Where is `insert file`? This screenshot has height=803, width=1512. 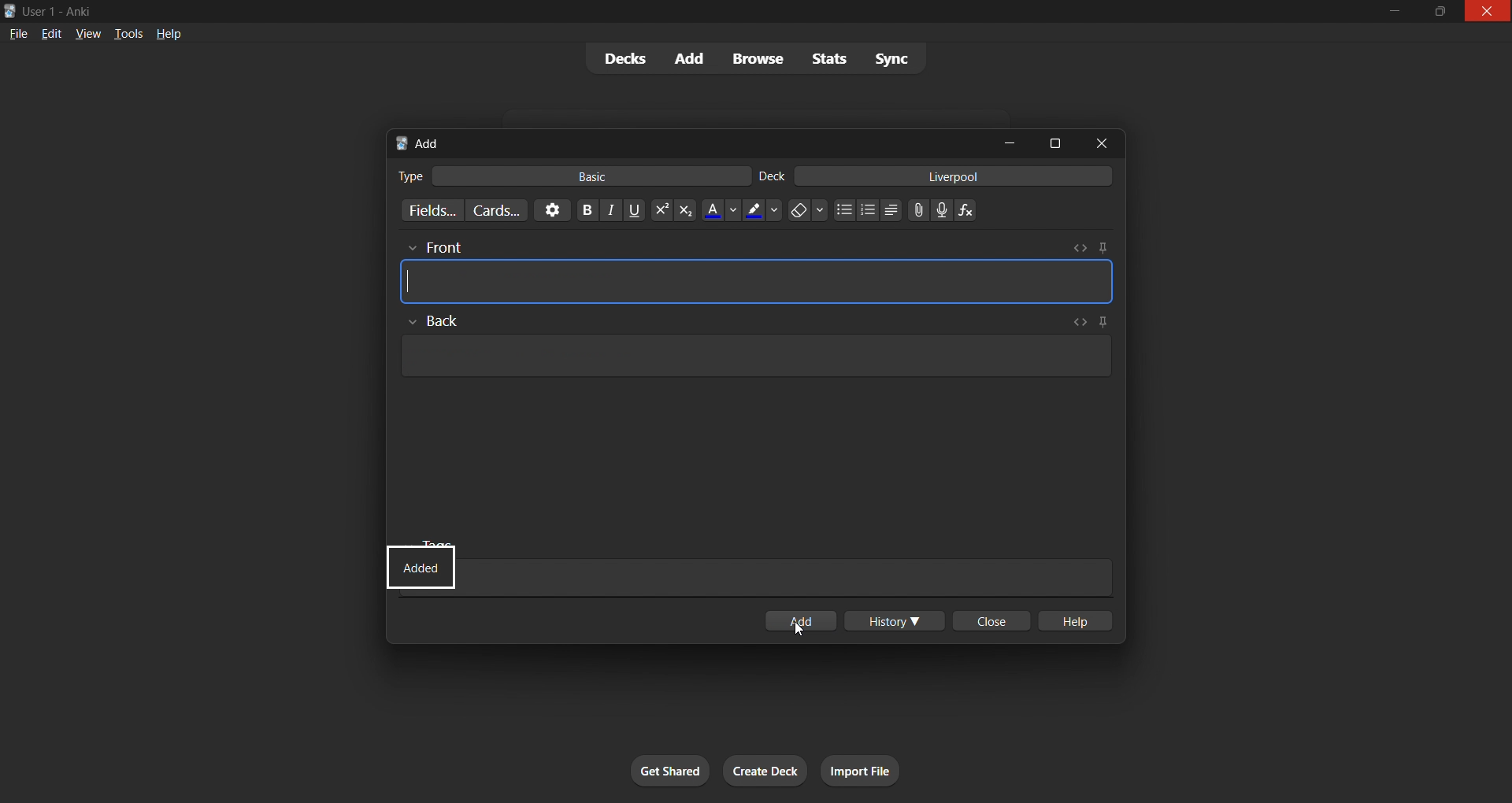 insert file is located at coordinates (913, 208).